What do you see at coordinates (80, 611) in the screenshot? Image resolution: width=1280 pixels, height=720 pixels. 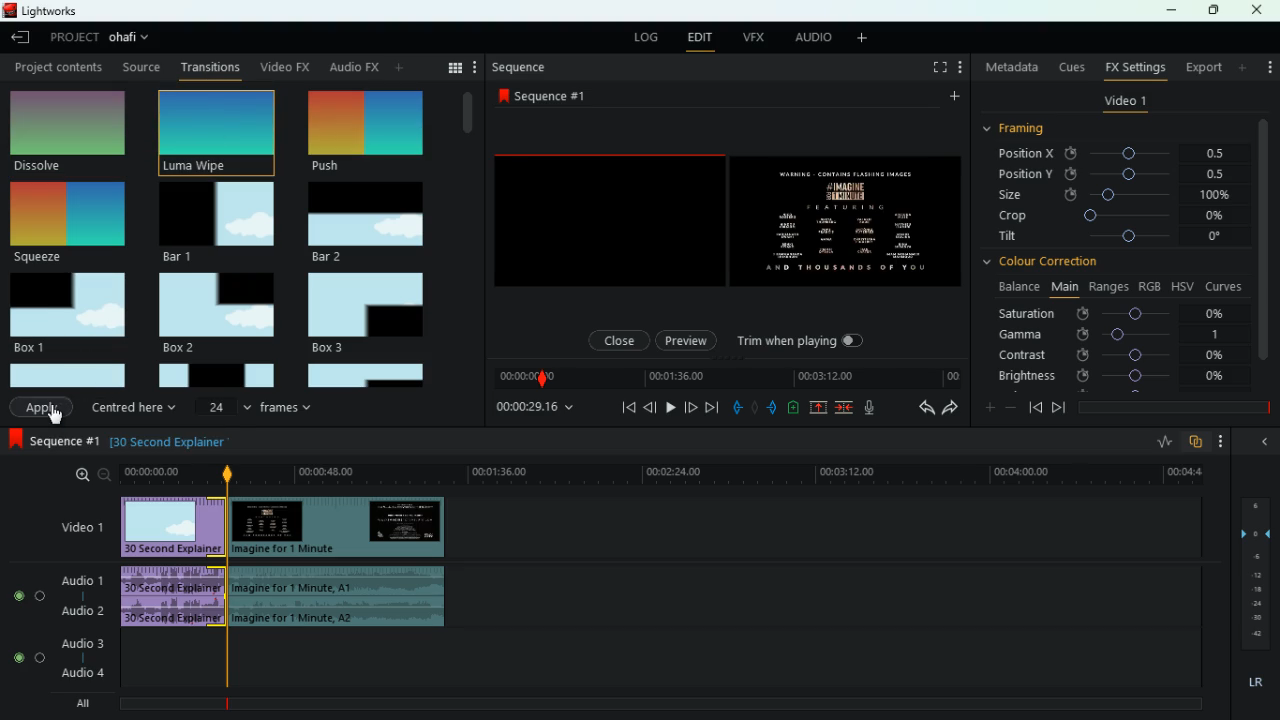 I see `audio 2` at bounding box center [80, 611].